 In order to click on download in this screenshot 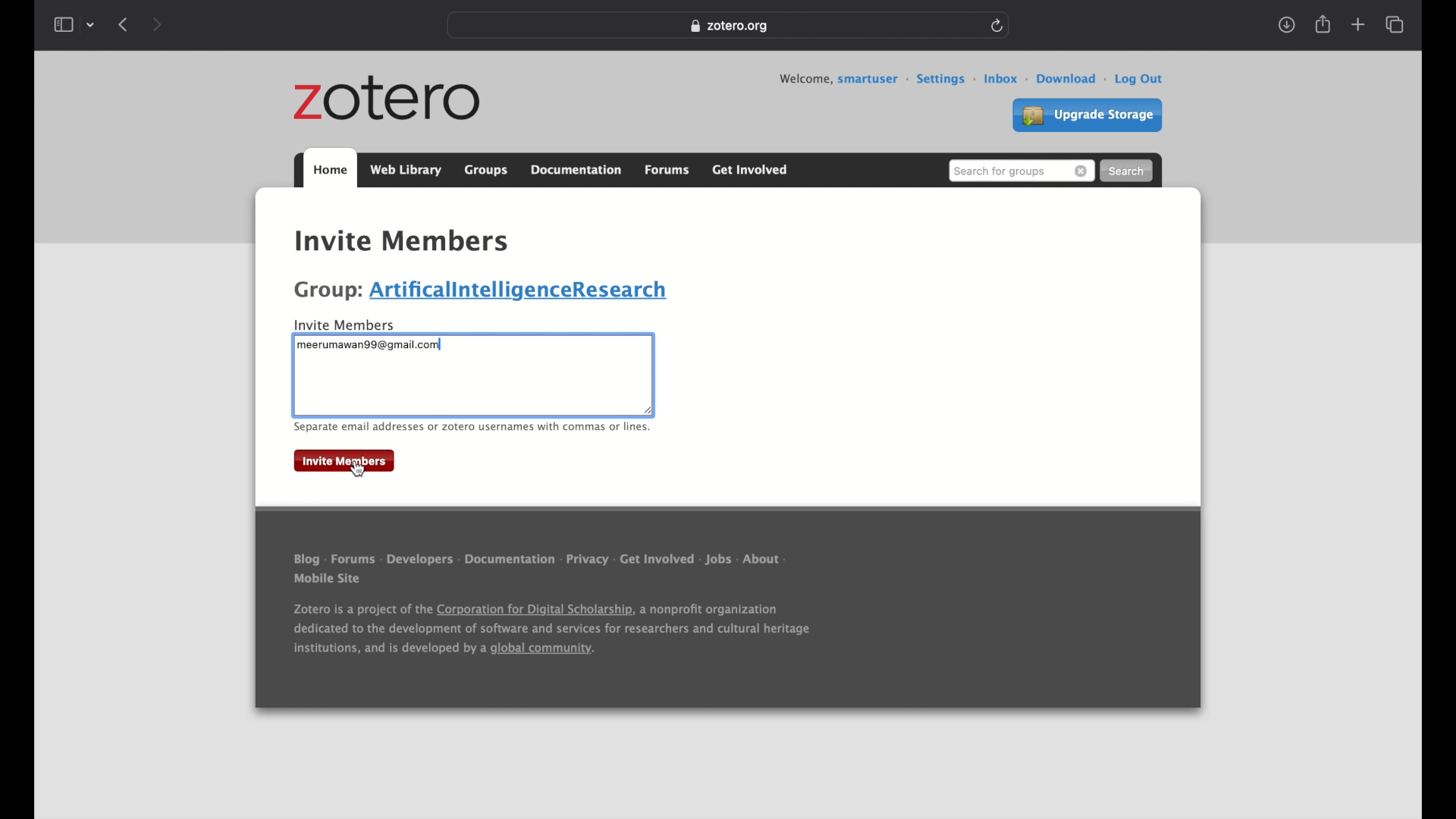, I will do `click(1073, 80)`.